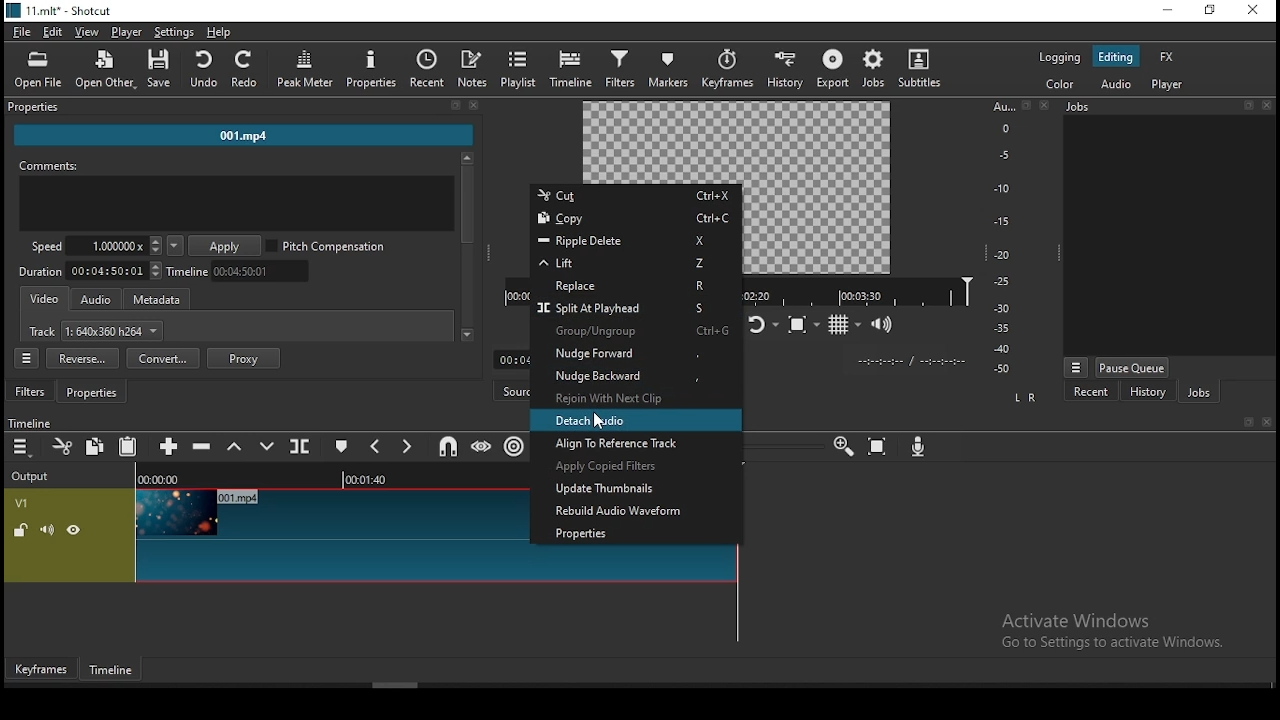  What do you see at coordinates (95, 331) in the screenshot?
I see `track` at bounding box center [95, 331].